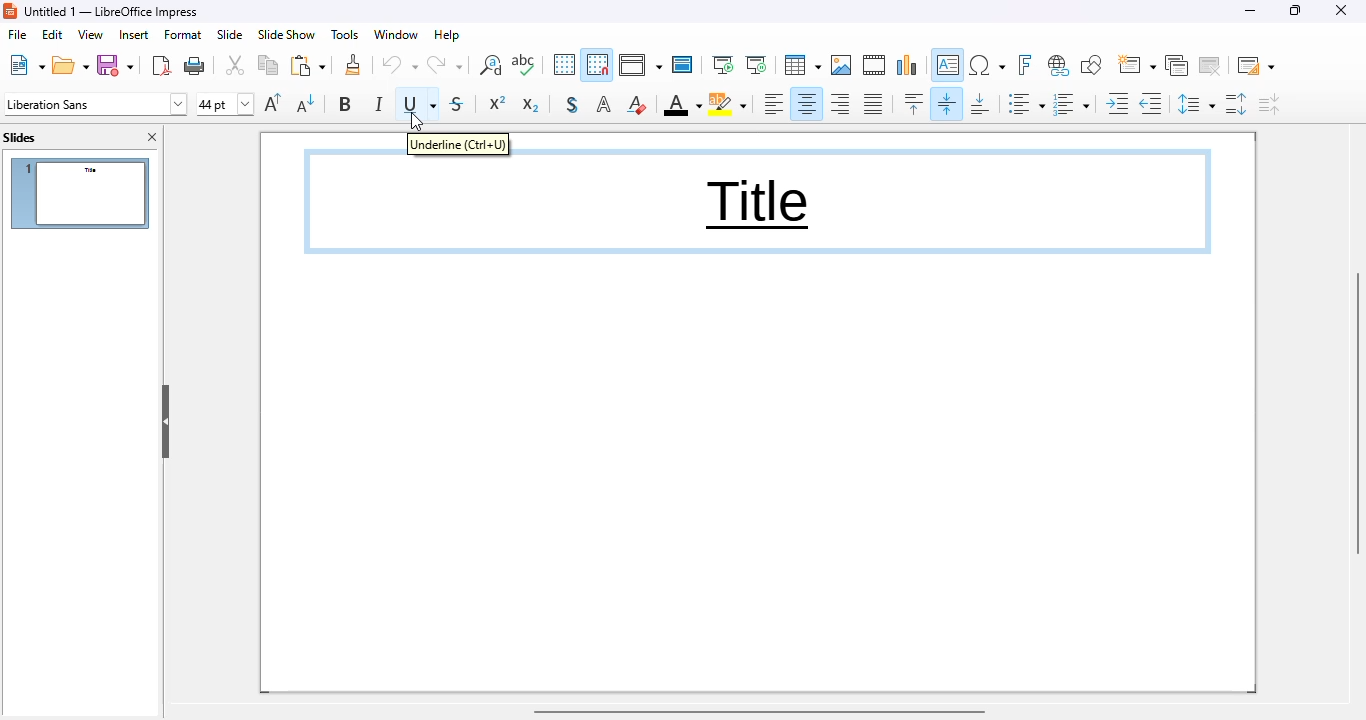 Image resolution: width=1366 pixels, height=720 pixels. Describe the element at coordinates (161, 65) in the screenshot. I see `export directly as PDF` at that location.